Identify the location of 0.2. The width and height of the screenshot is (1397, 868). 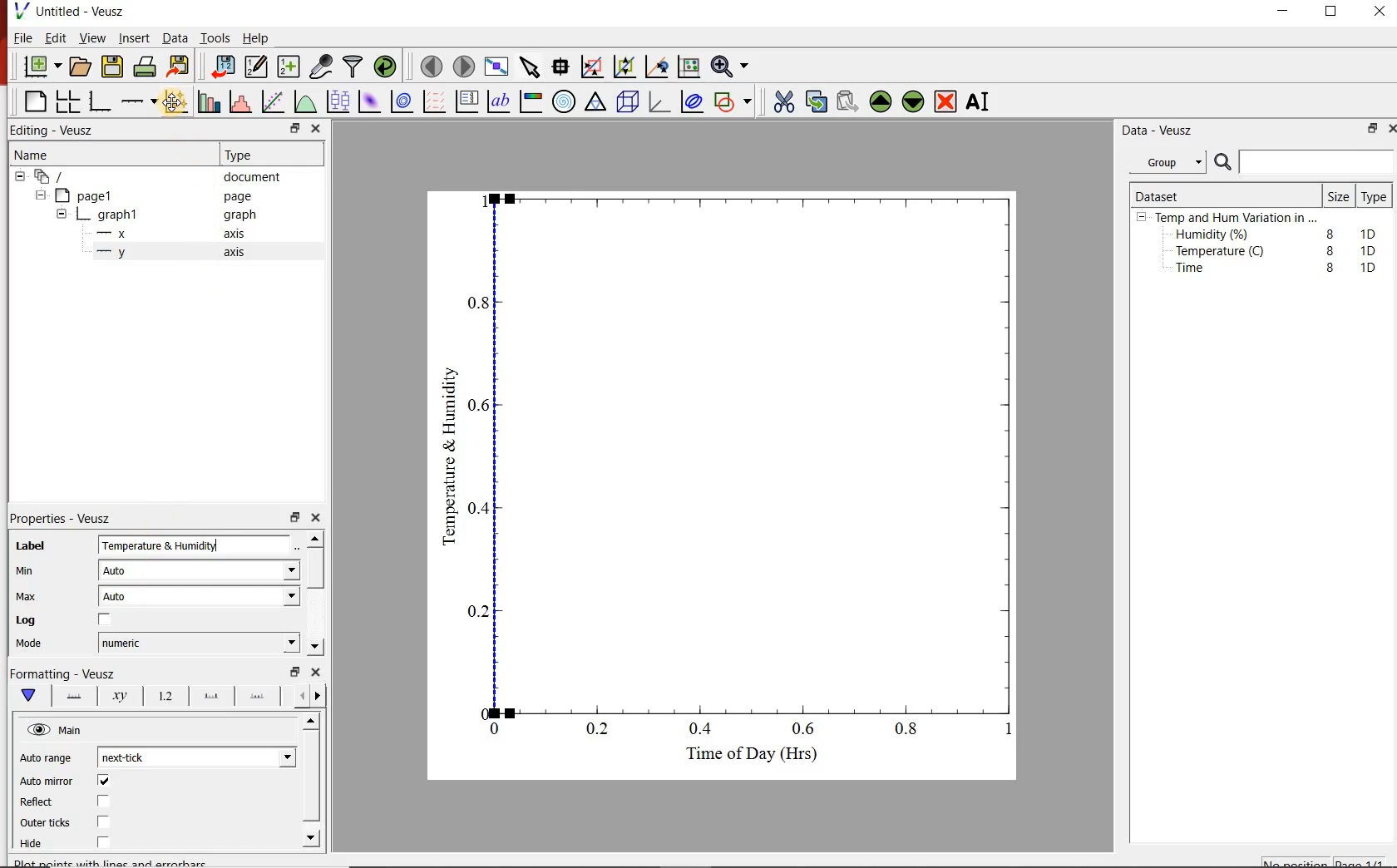
(476, 611).